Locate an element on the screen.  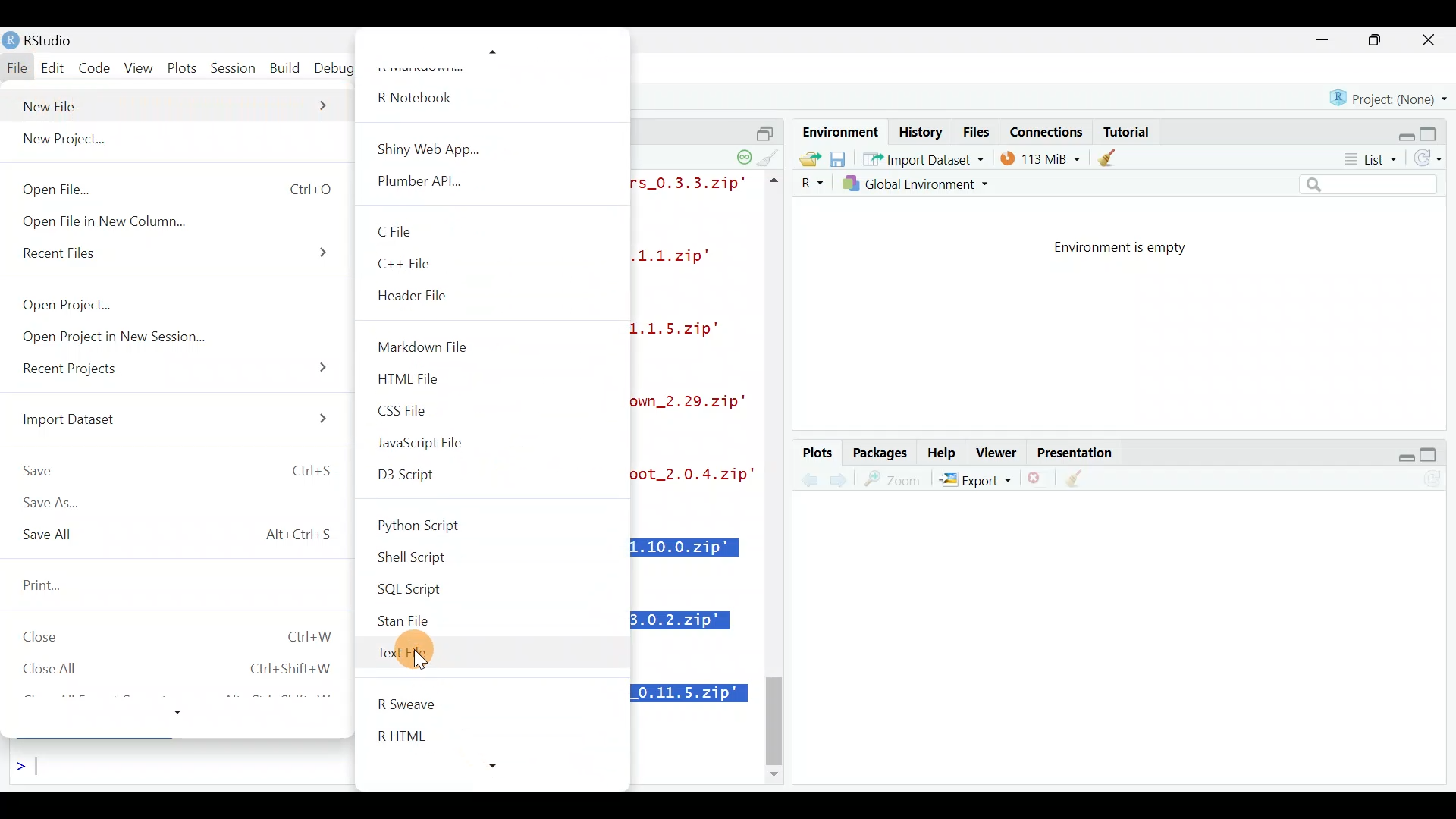
scroll bar is located at coordinates (777, 479).